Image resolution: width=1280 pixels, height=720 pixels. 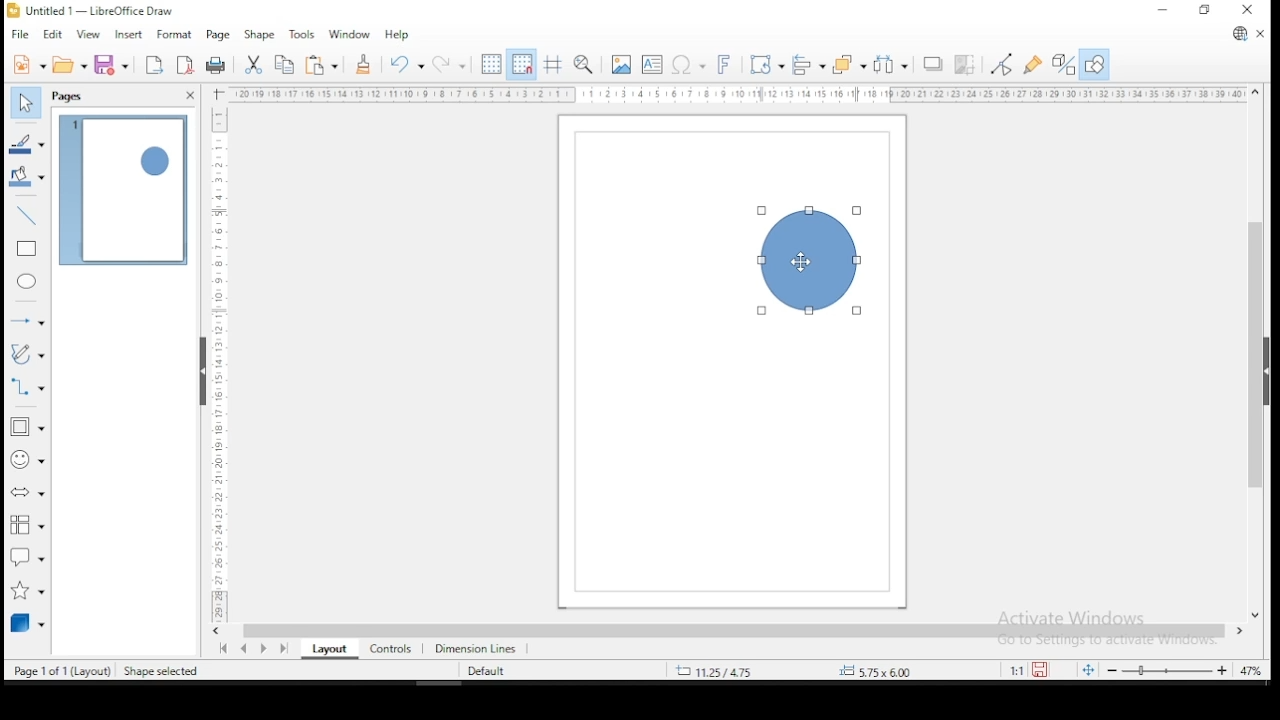 I want to click on show grids, so click(x=489, y=66).